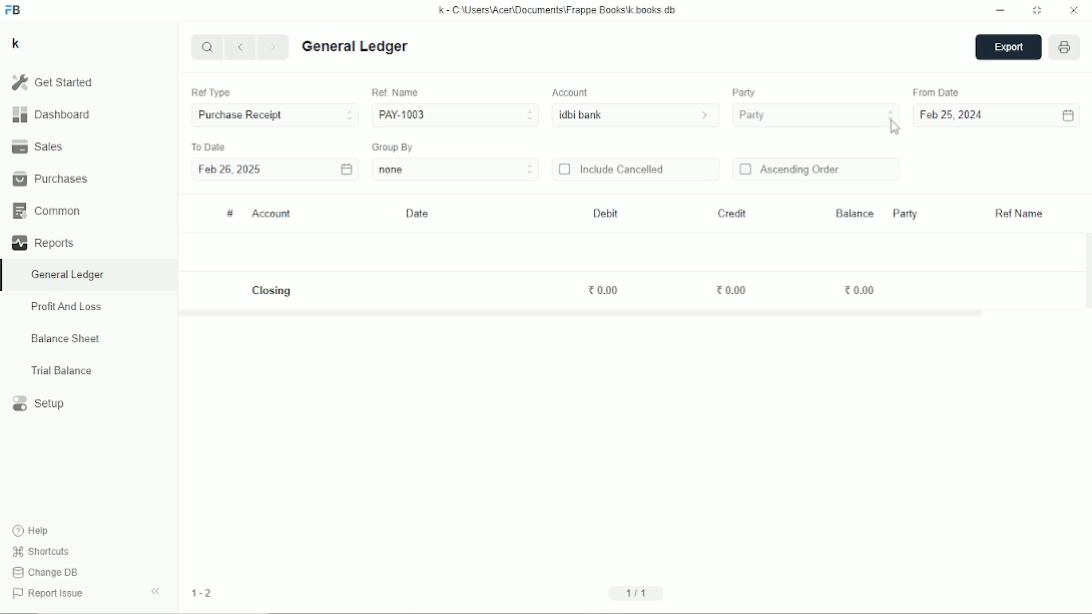  What do you see at coordinates (1020, 214) in the screenshot?
I see `Ref name` at bounding box center [1020, 214].